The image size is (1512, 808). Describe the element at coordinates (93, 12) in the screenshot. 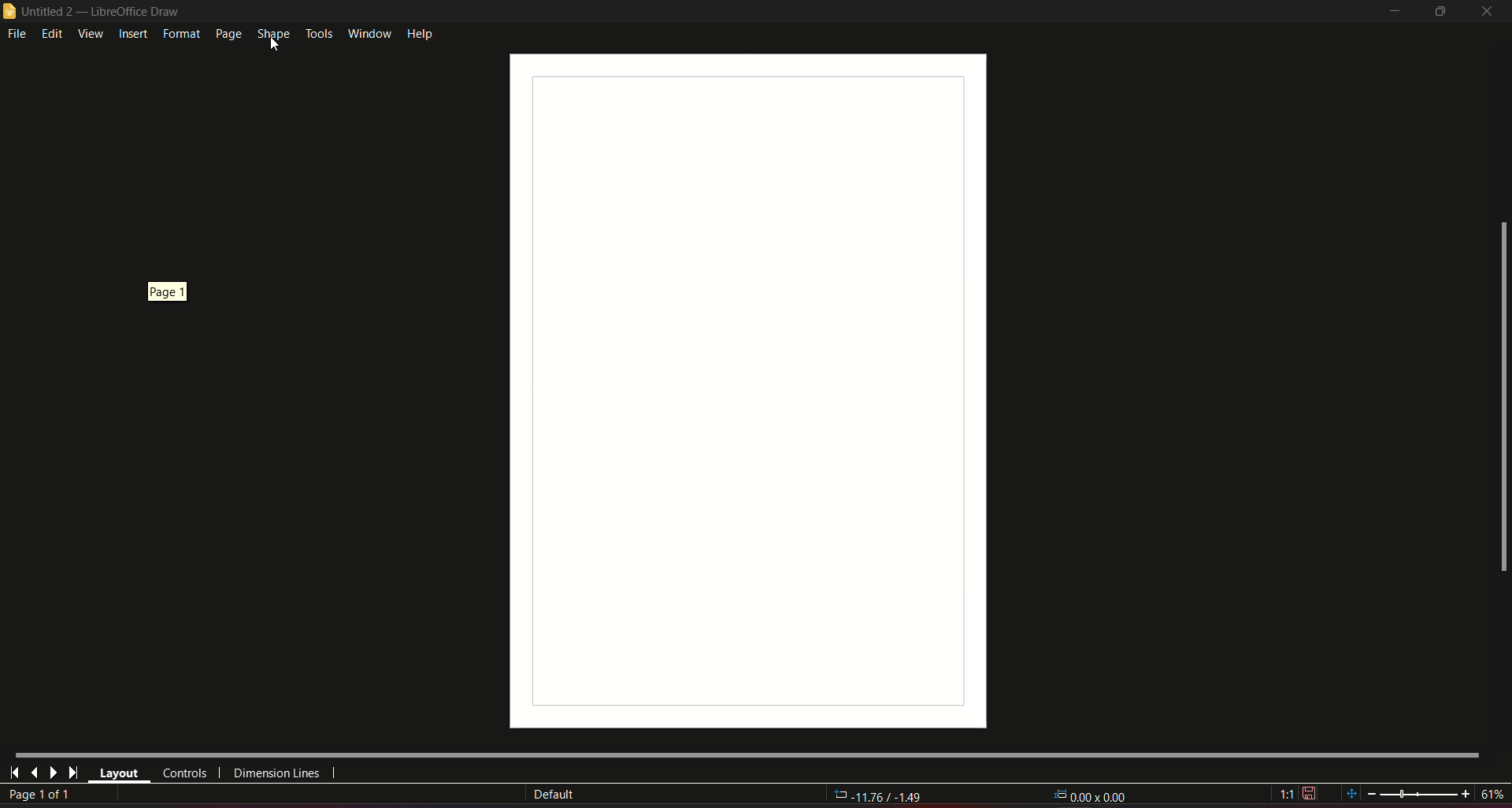

I see `untitled 2 - libreoffice draw` at that location.